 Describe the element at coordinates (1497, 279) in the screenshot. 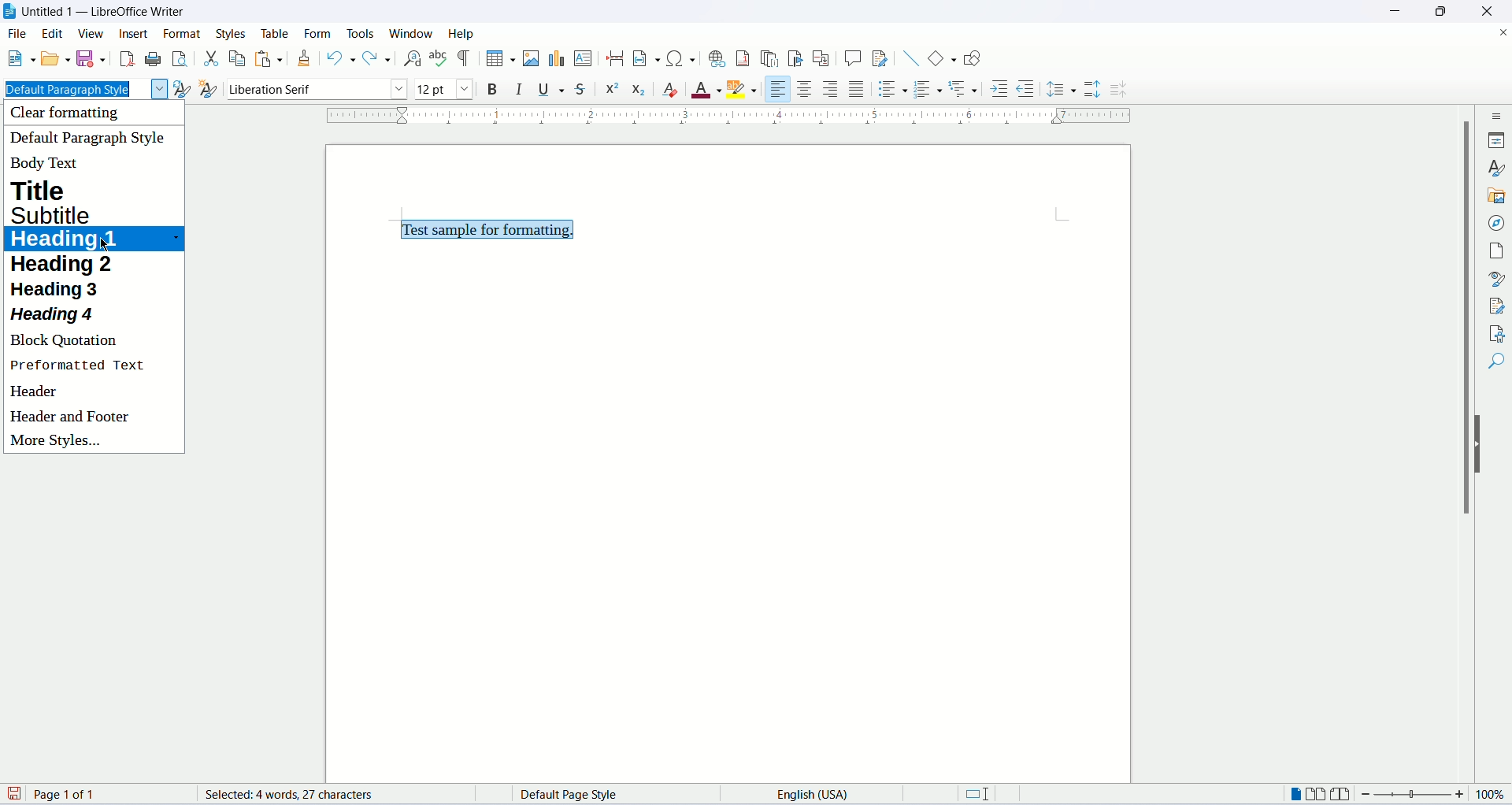

I see `style inspector` at that location.